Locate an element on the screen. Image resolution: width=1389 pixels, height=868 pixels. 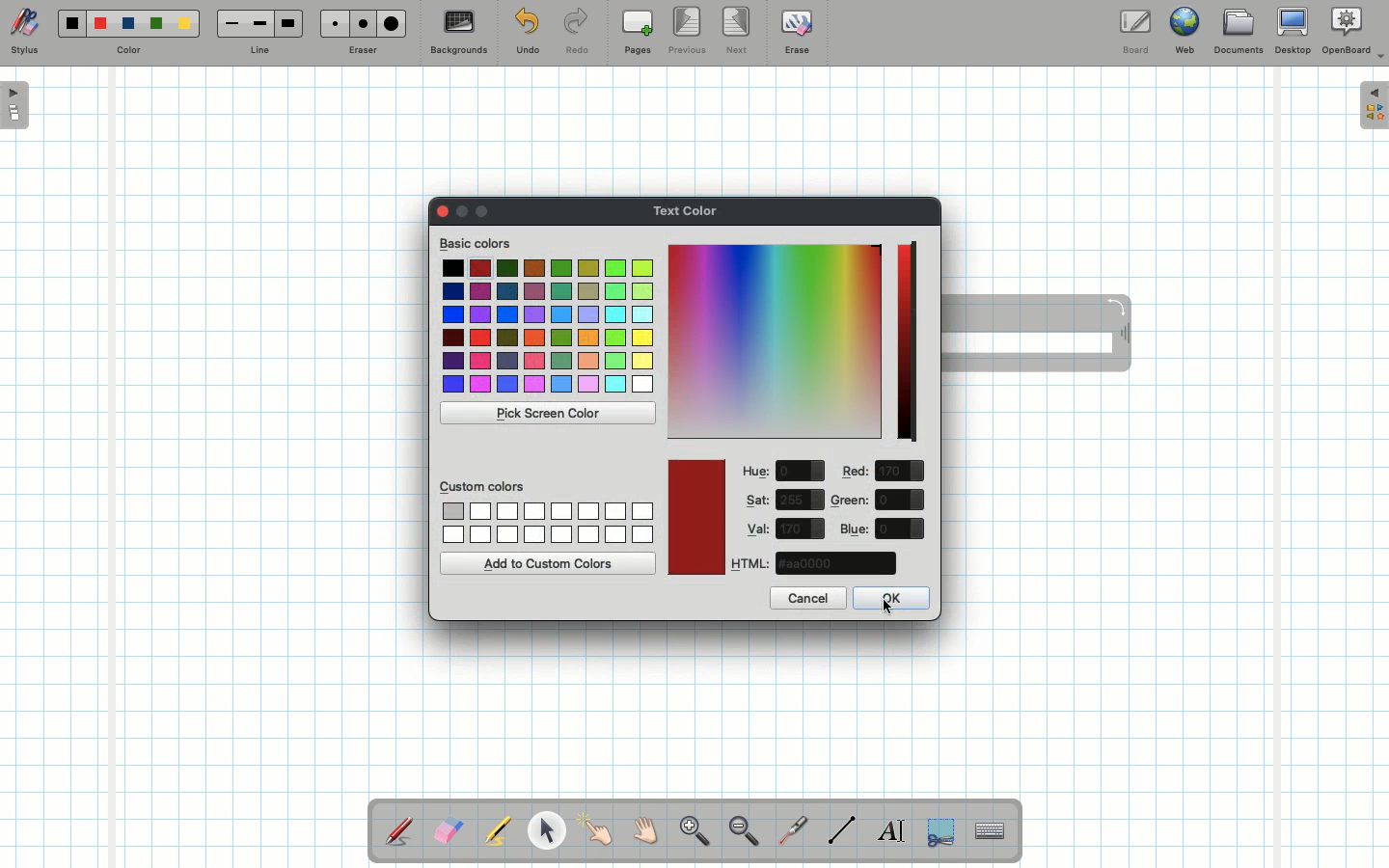
Stylus is located at coordinates (24, 32).